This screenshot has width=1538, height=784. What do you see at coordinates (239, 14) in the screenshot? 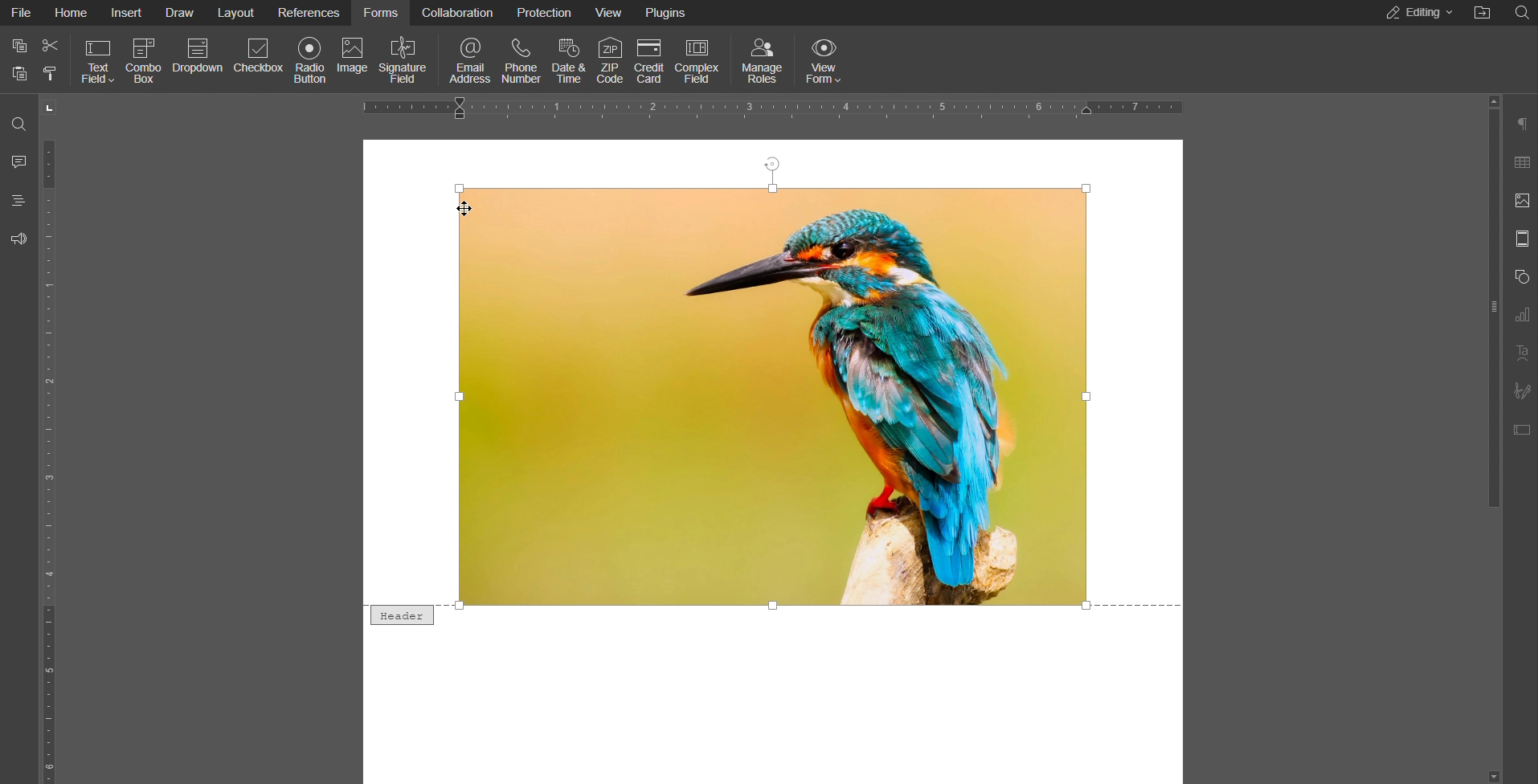
I see `Layout` at bounding box center [239, 14].